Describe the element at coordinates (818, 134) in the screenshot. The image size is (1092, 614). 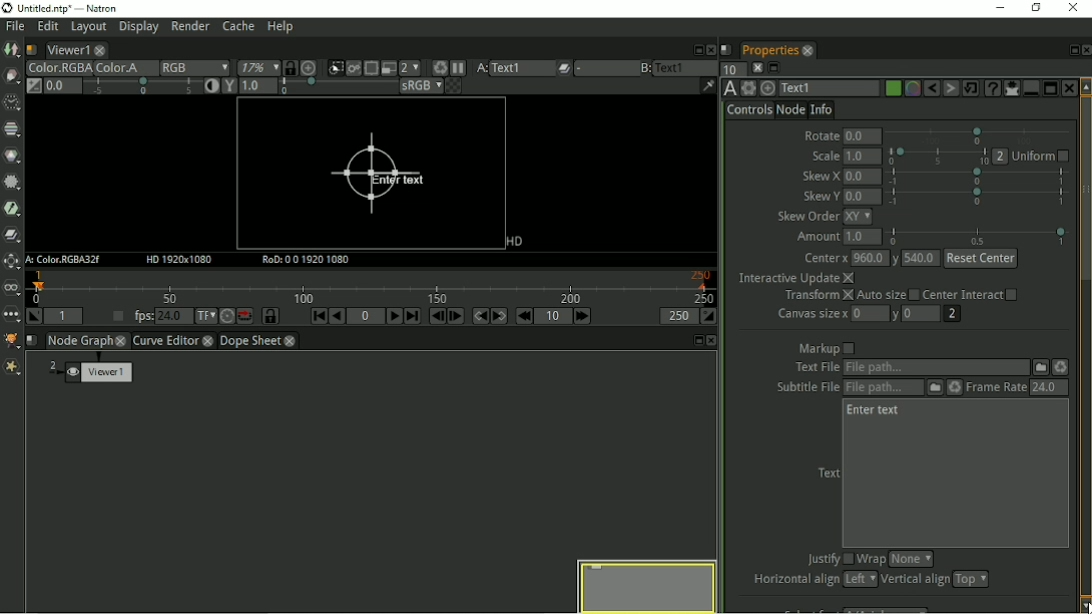
I see `Rotate` at that location.